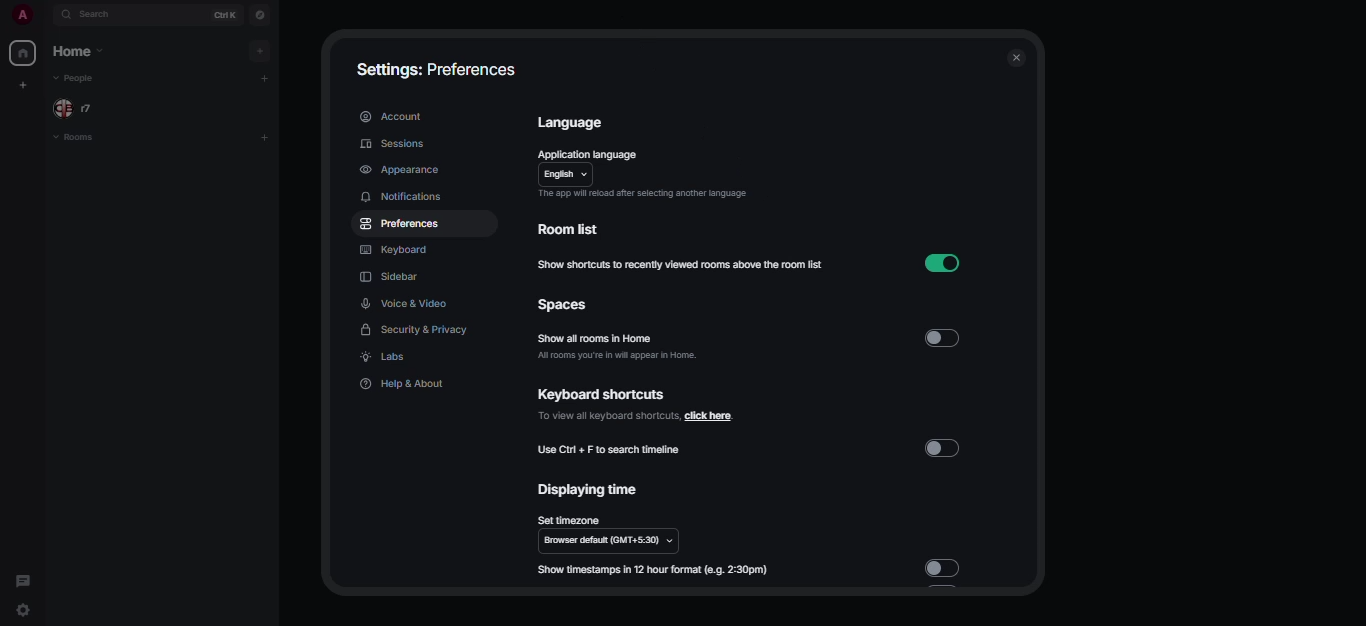 The image size is (1366, 626). Describe the element at coordinates (395, 114) in the screenshot. I see `account` at that location.